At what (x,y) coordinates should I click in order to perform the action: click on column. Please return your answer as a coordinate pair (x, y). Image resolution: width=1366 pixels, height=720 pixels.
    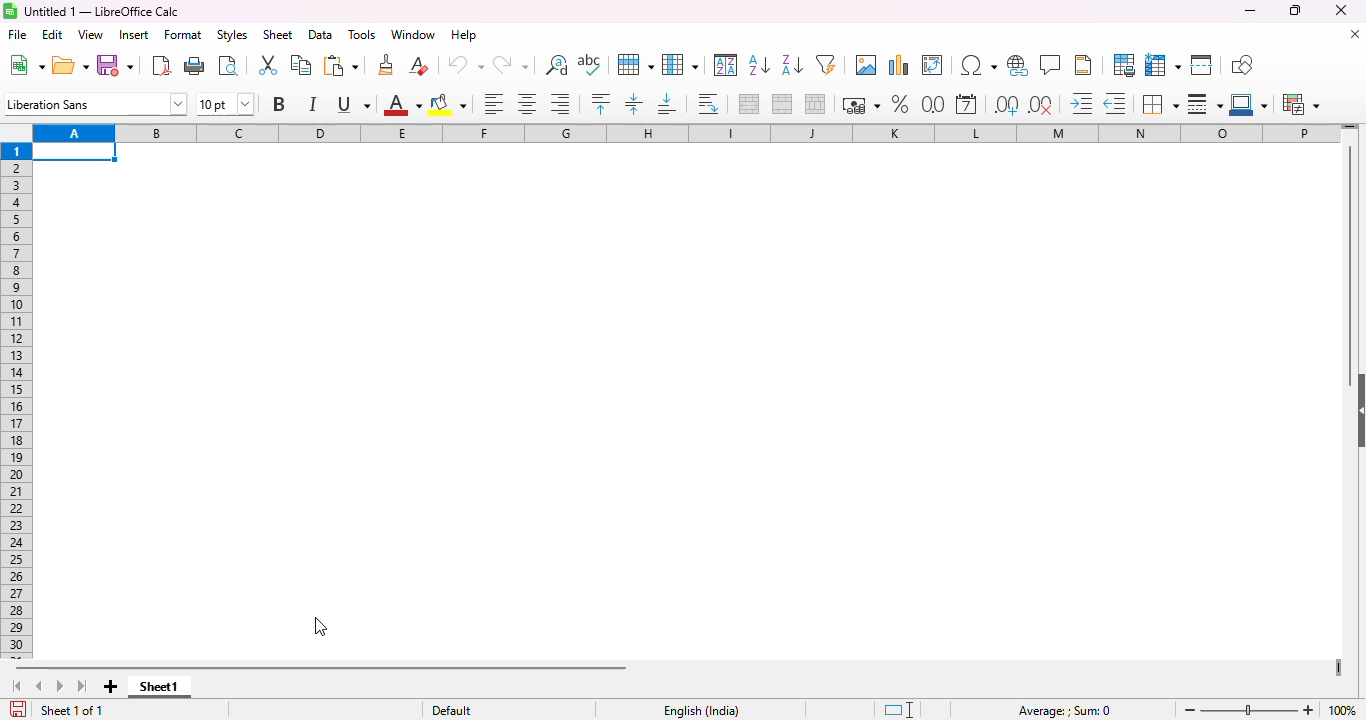
    Looking at the image, I should click on (680, 63).